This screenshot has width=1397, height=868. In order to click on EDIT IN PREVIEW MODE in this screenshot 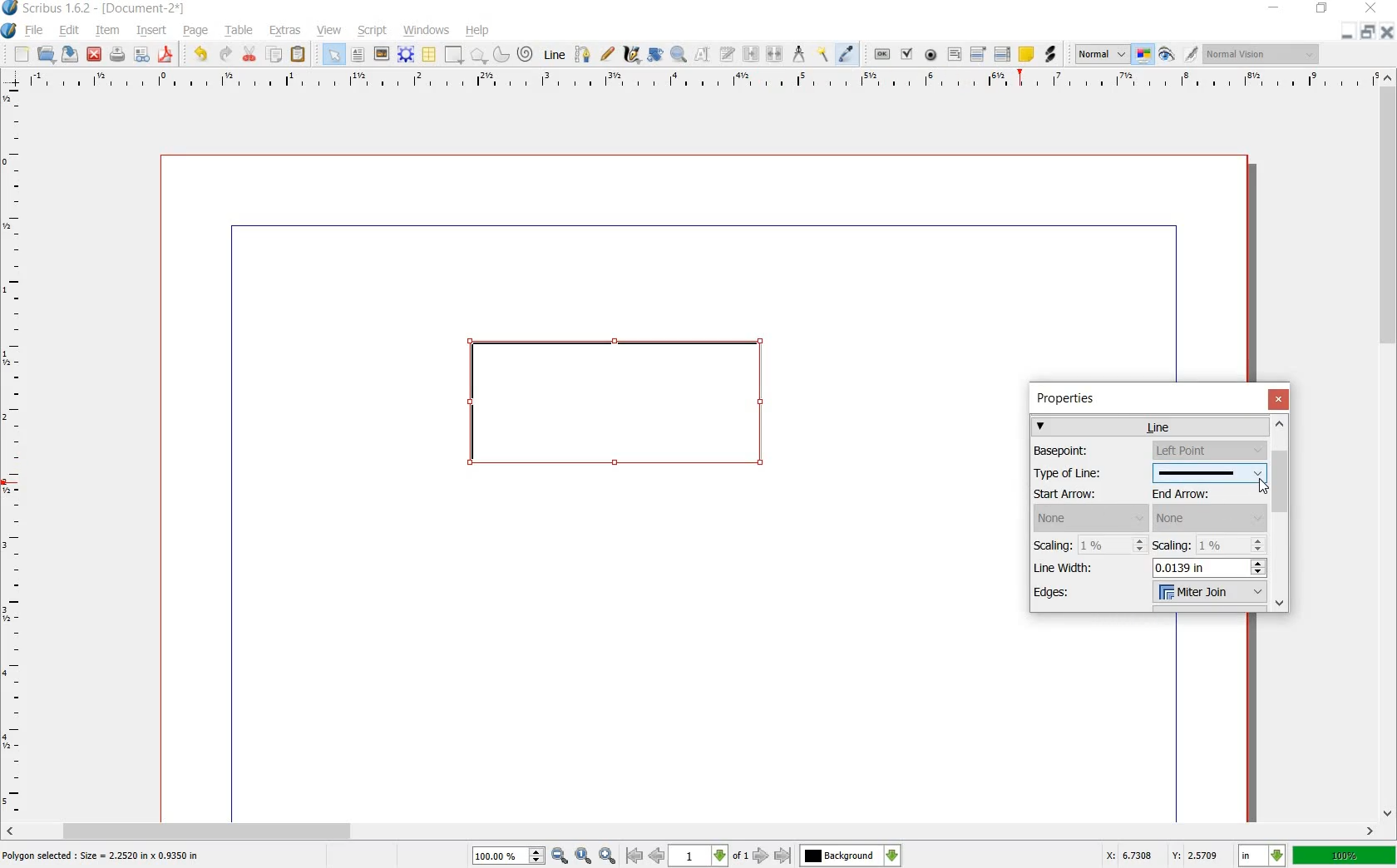, I will do `click(1193, 54)`.